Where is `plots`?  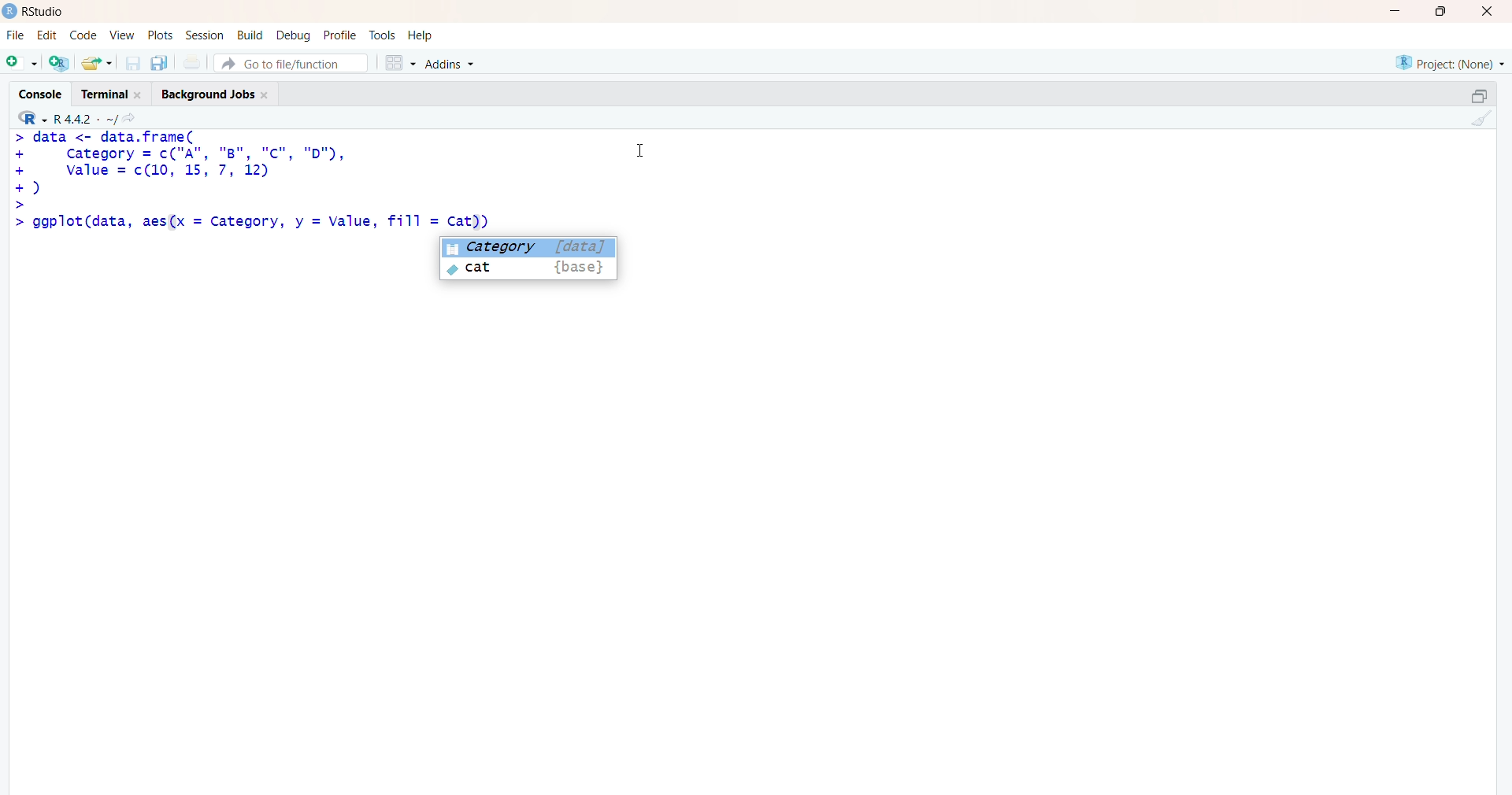
plots is located at coordinates (162, 35).